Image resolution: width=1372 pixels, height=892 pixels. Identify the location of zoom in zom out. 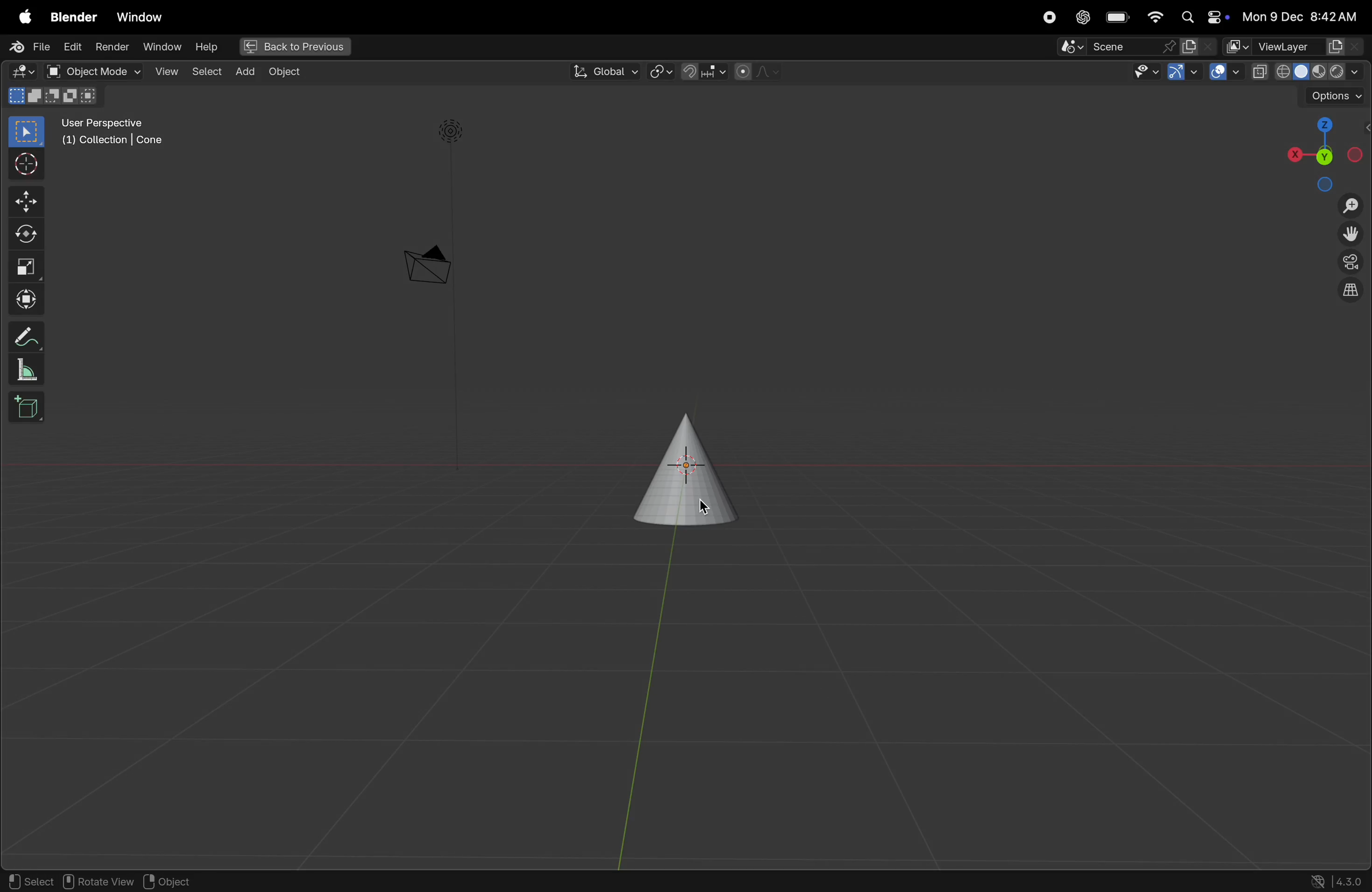
(1353, 205).